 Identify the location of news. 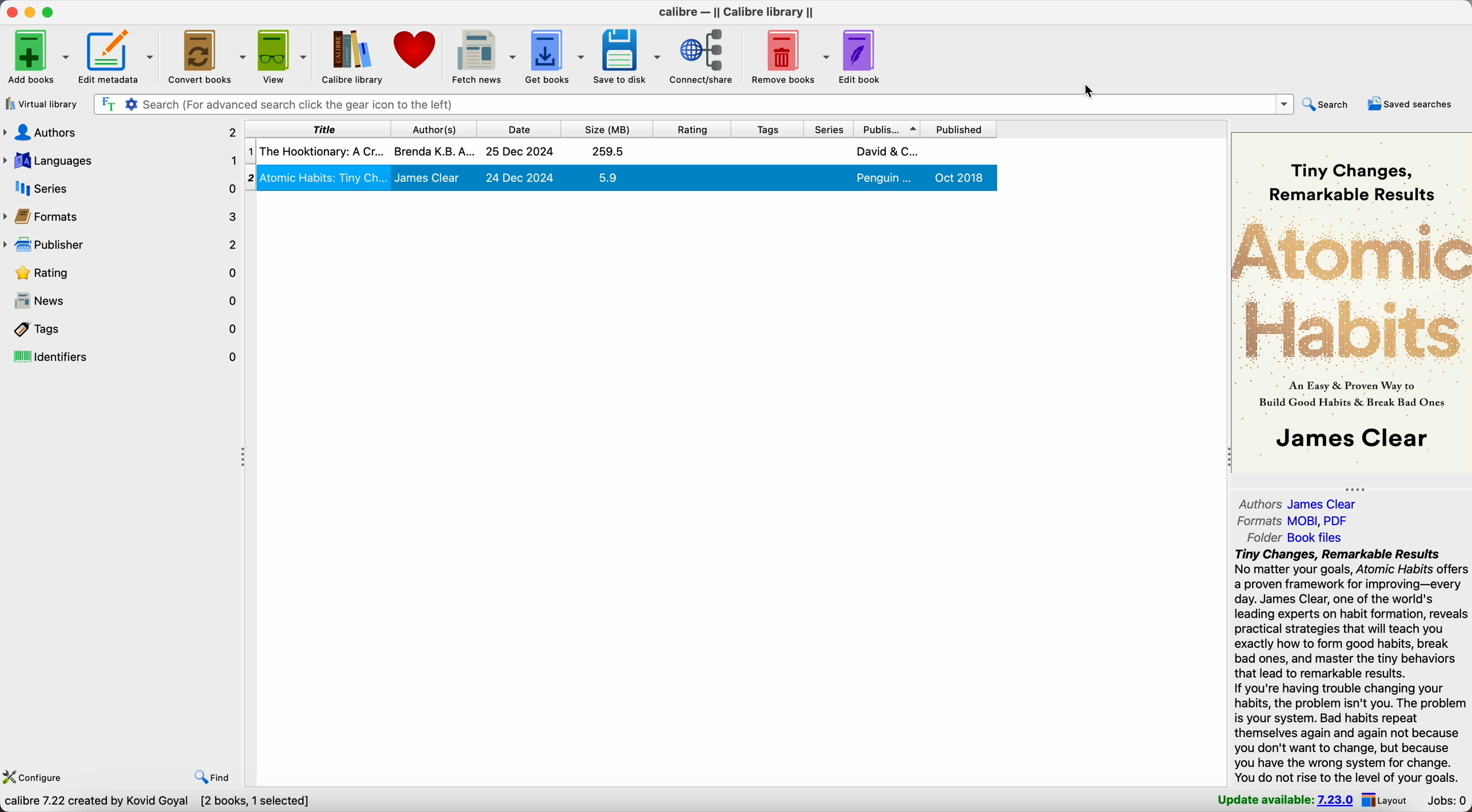
(122, 301).